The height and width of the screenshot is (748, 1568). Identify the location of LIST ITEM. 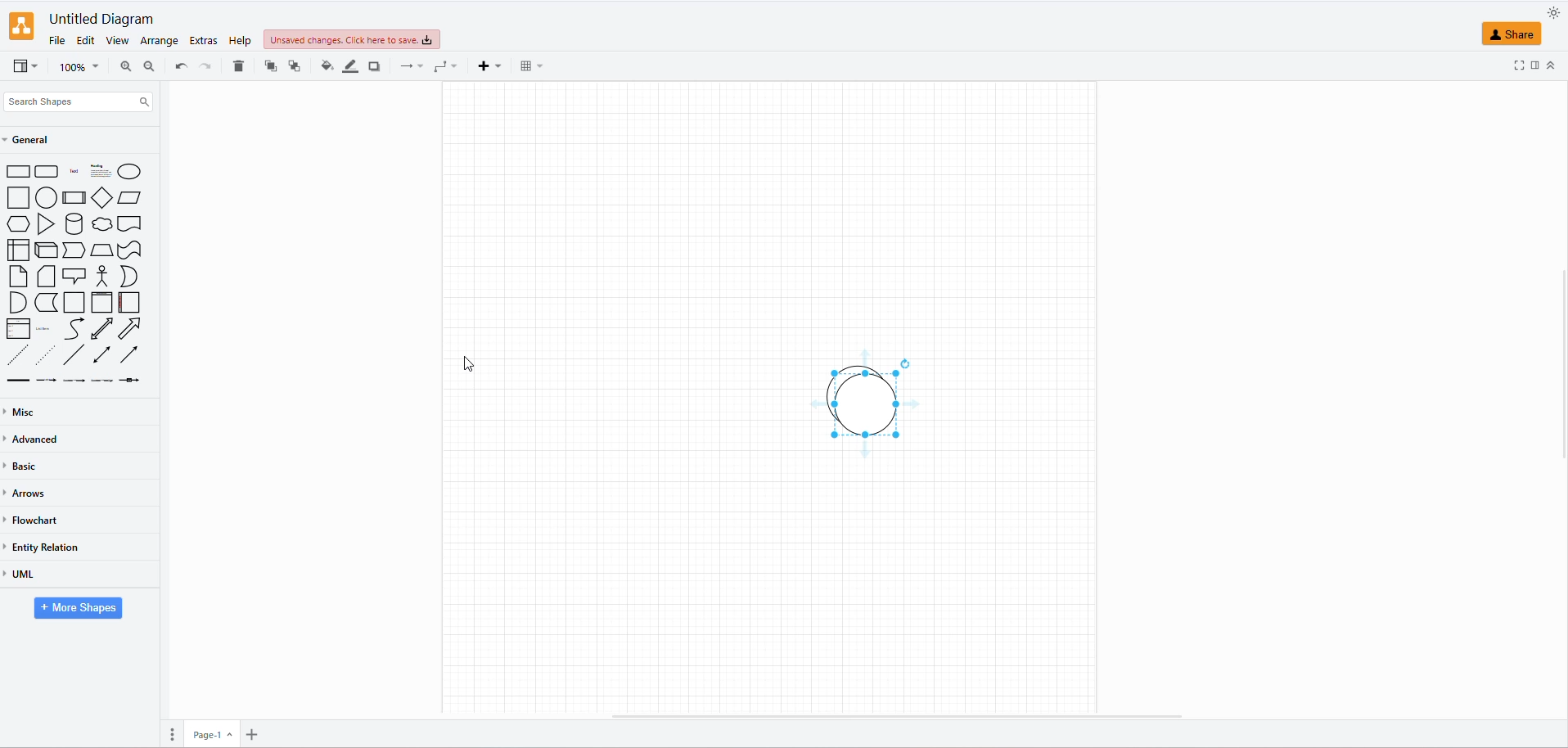
(44, 330).